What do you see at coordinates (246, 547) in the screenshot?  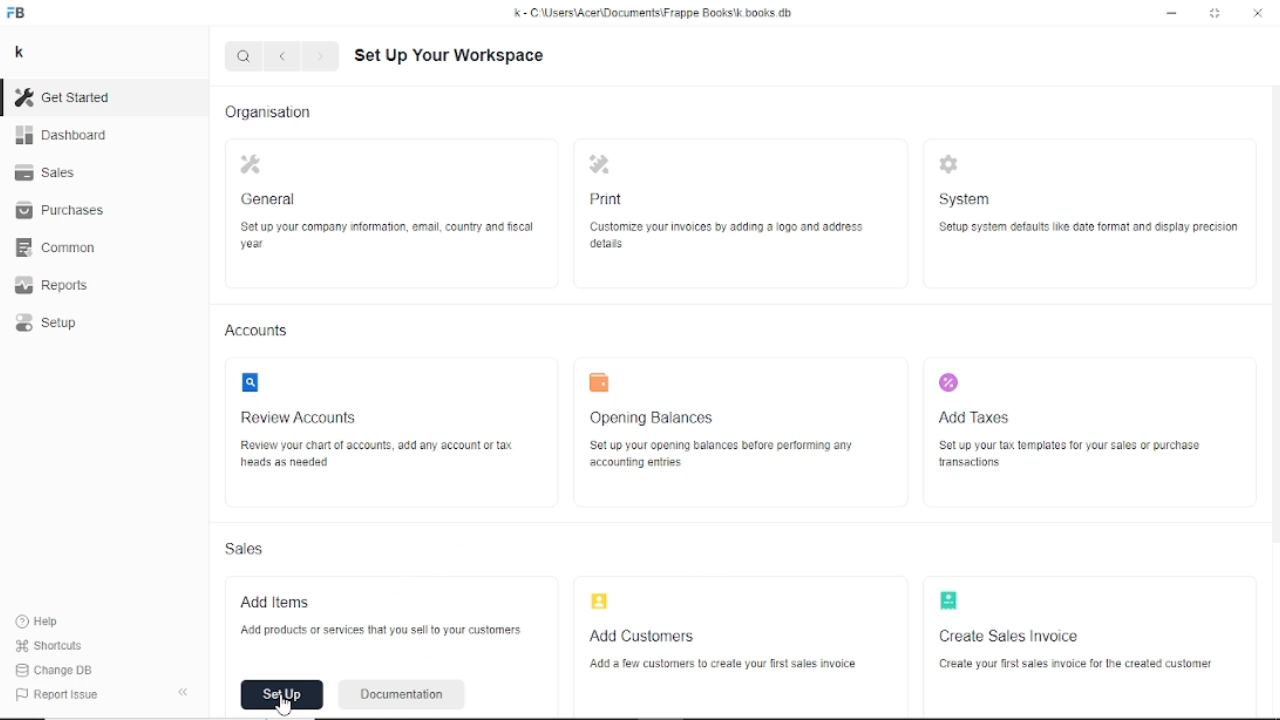 I see `Sales` at bounding box center [246, 547].